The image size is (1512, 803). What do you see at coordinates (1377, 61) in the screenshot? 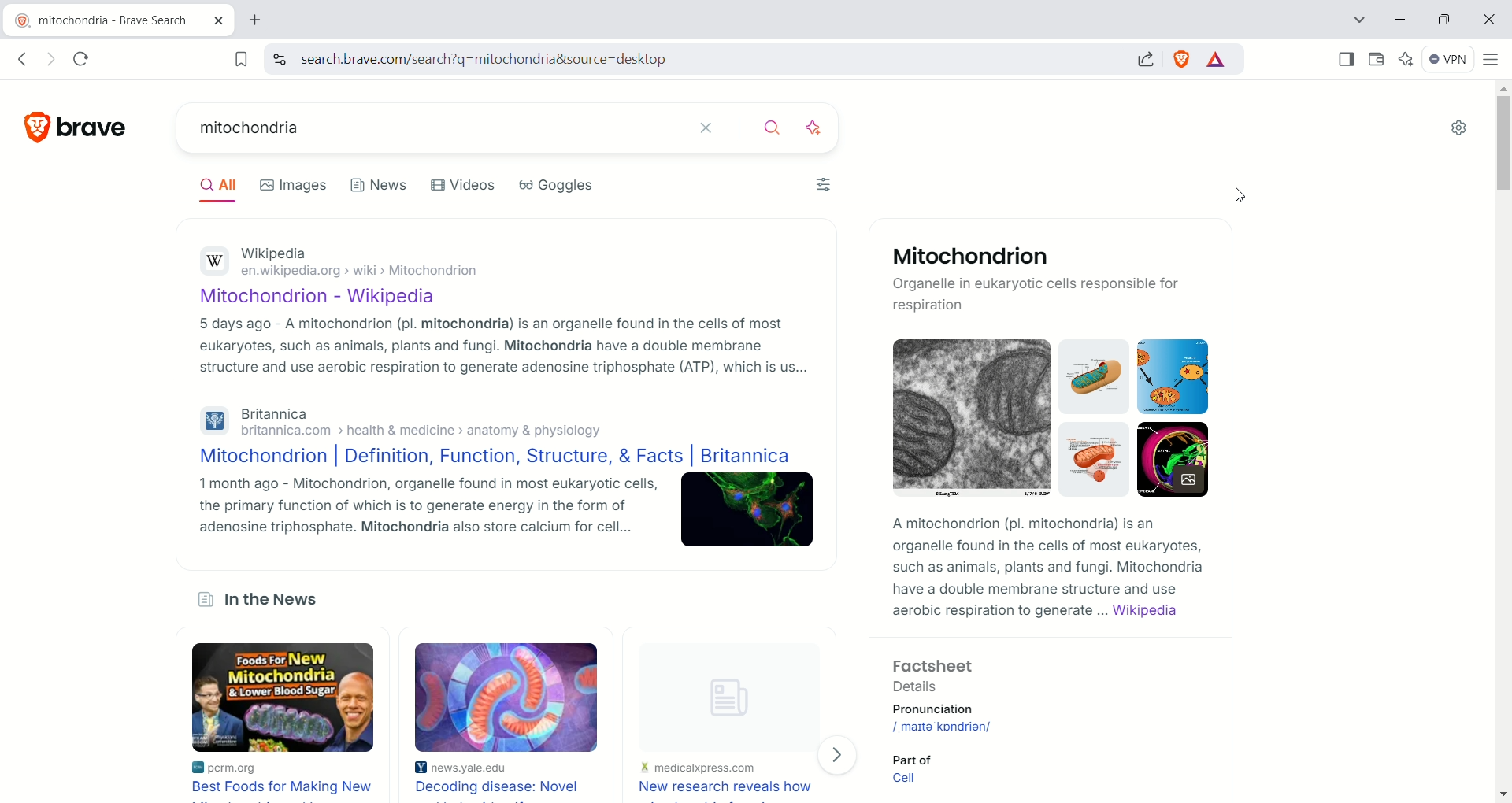
I see `wallet` at bounding box center [1377, 61].